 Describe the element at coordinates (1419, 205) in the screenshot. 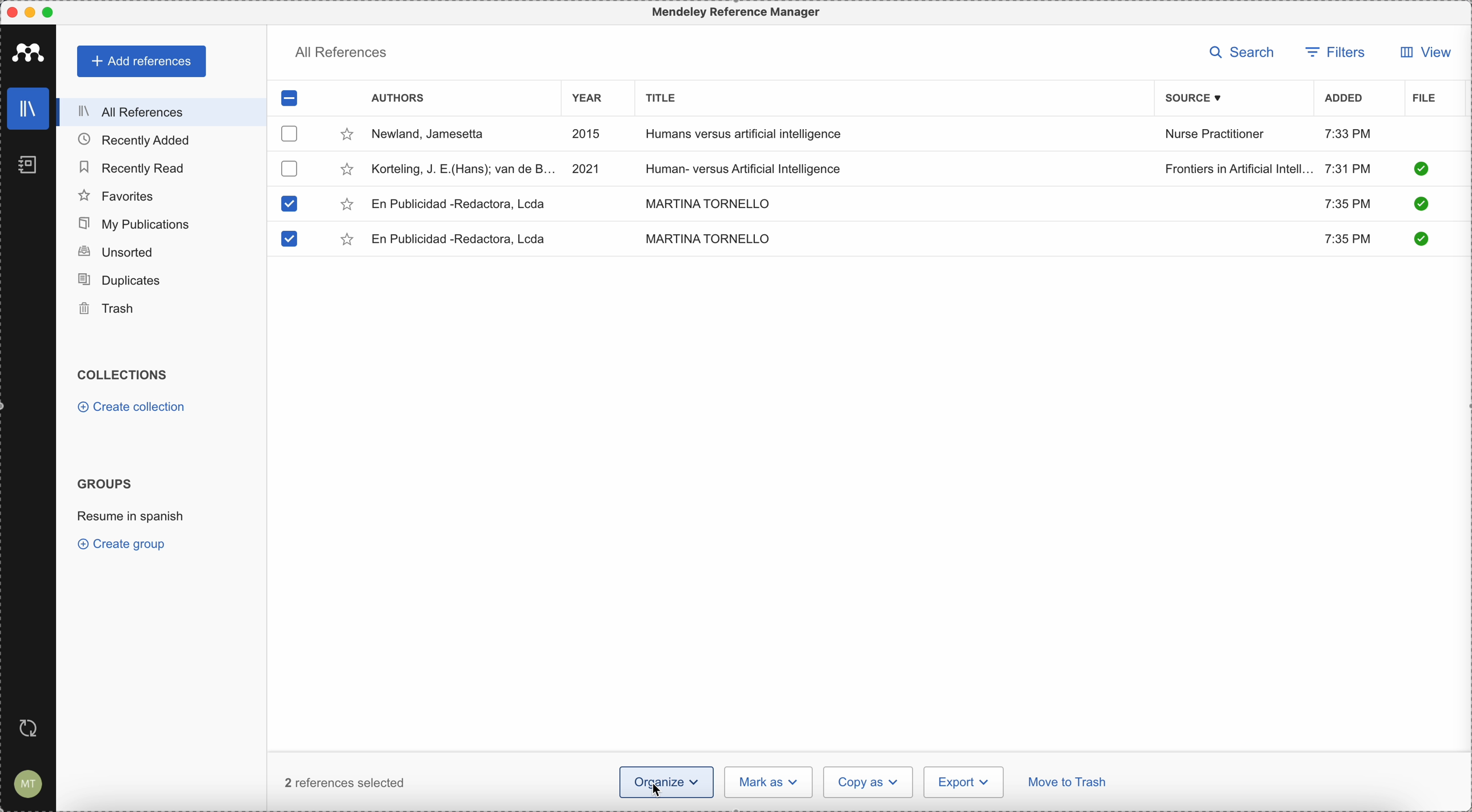

I see `check it` at that location.